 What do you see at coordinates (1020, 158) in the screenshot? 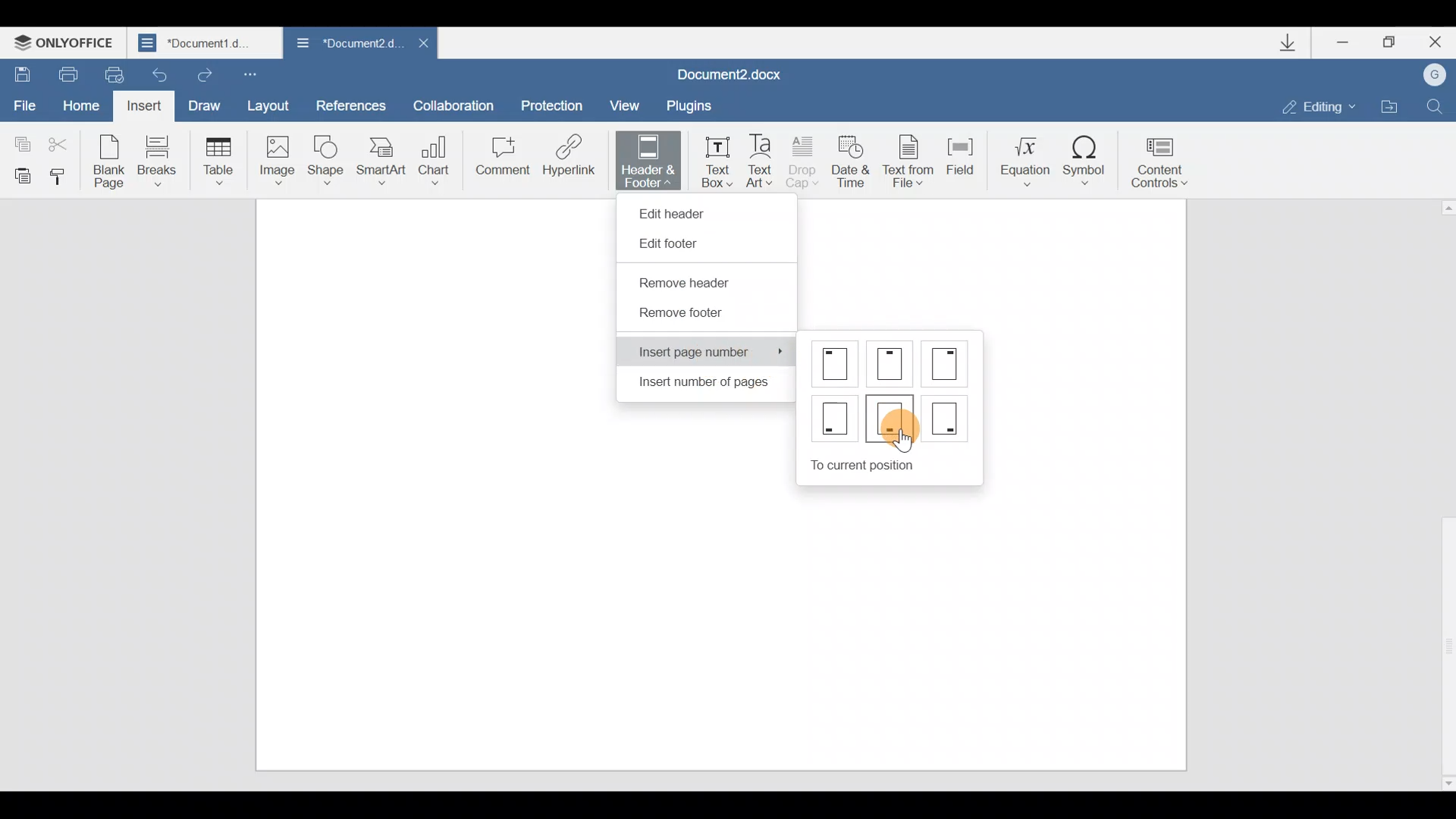
I see `Equation` at bounding box center [1020, 158].